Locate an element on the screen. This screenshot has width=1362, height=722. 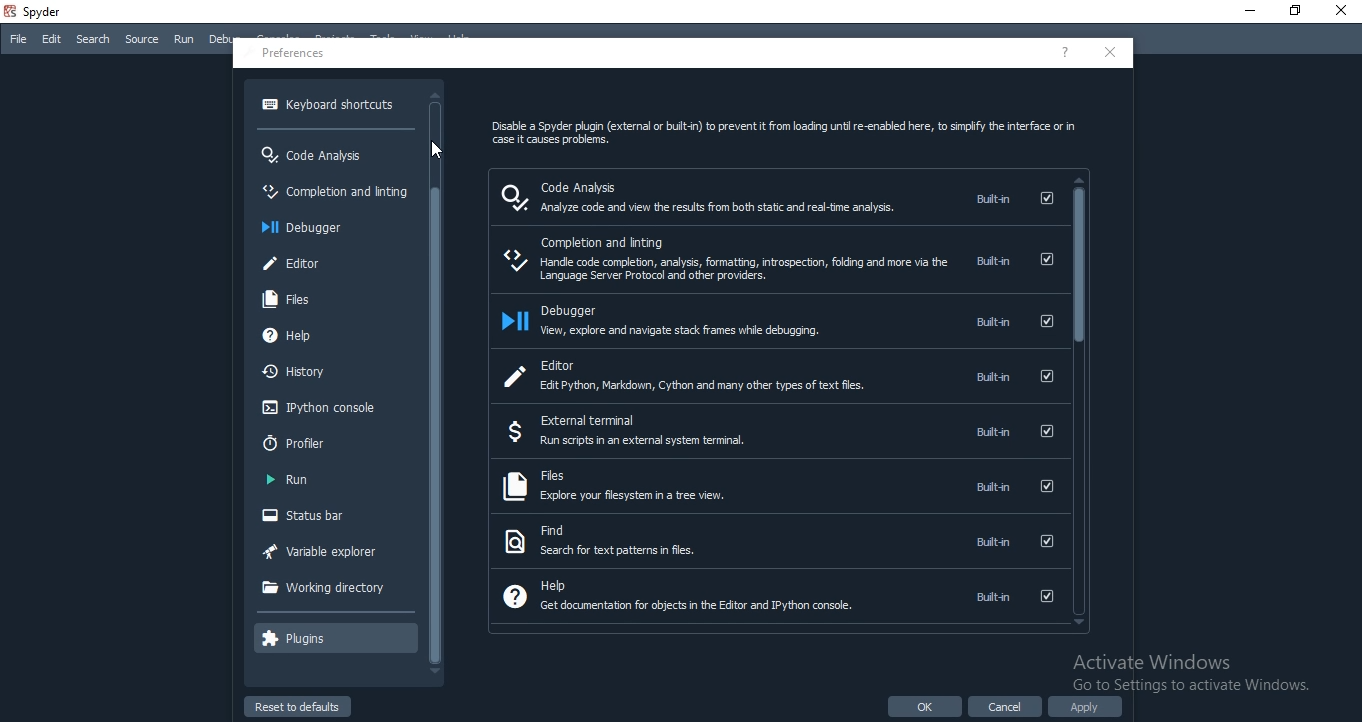
Help is located at coordinates (540, 585).